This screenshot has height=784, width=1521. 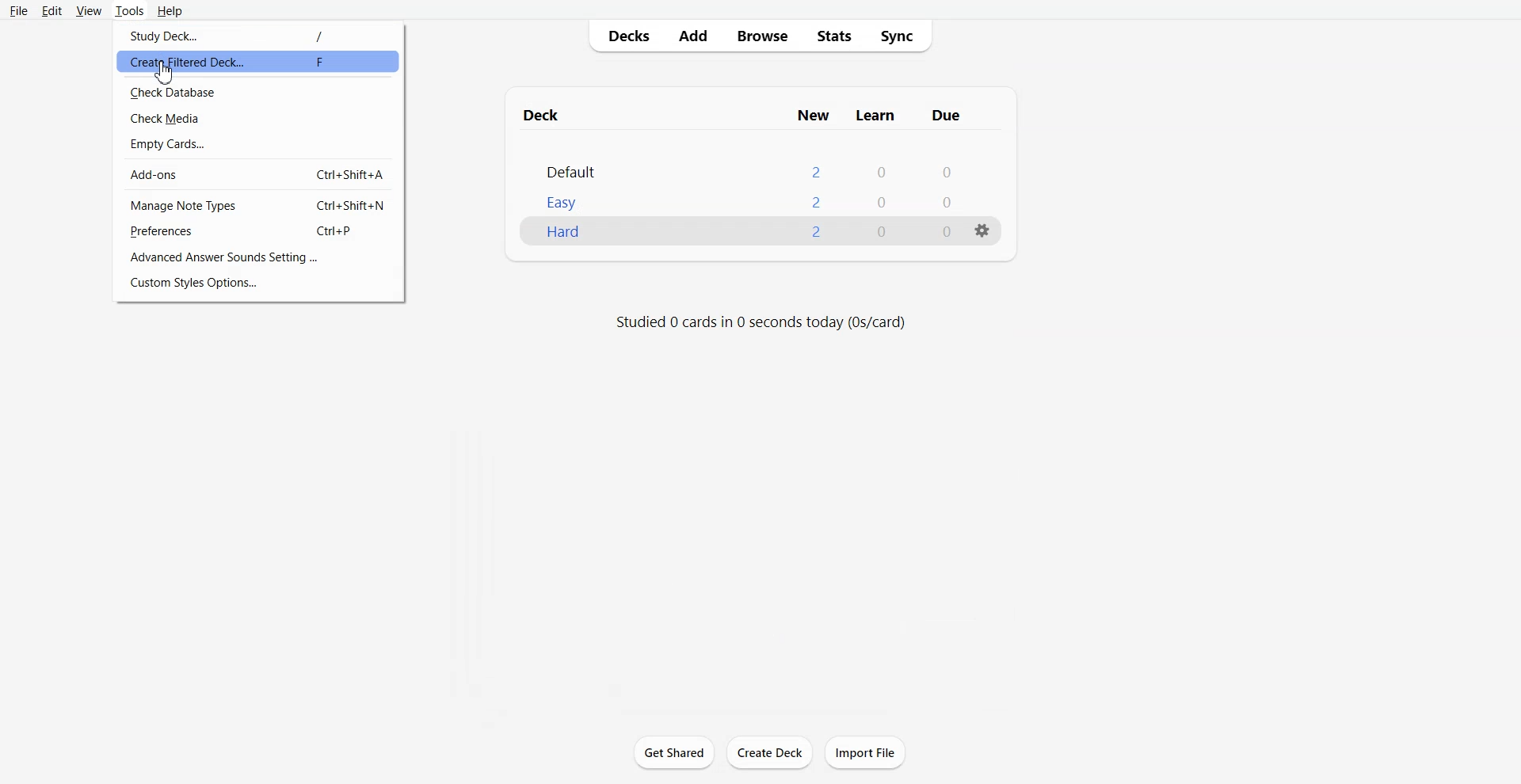 I want to click on Manage Note Types, so click(x=259, y=204).